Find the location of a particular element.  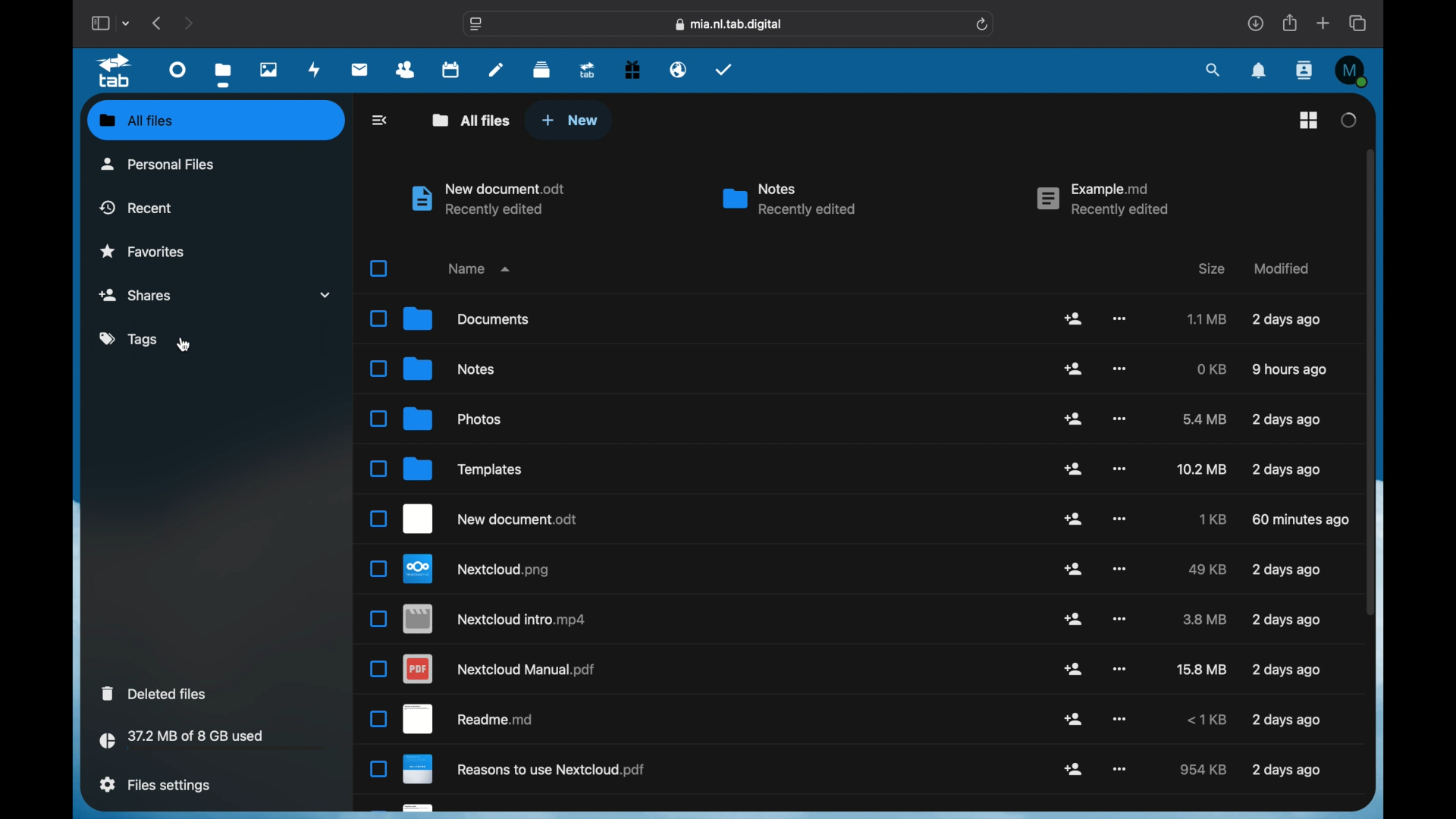

share is located at coordinates (1074, 317).